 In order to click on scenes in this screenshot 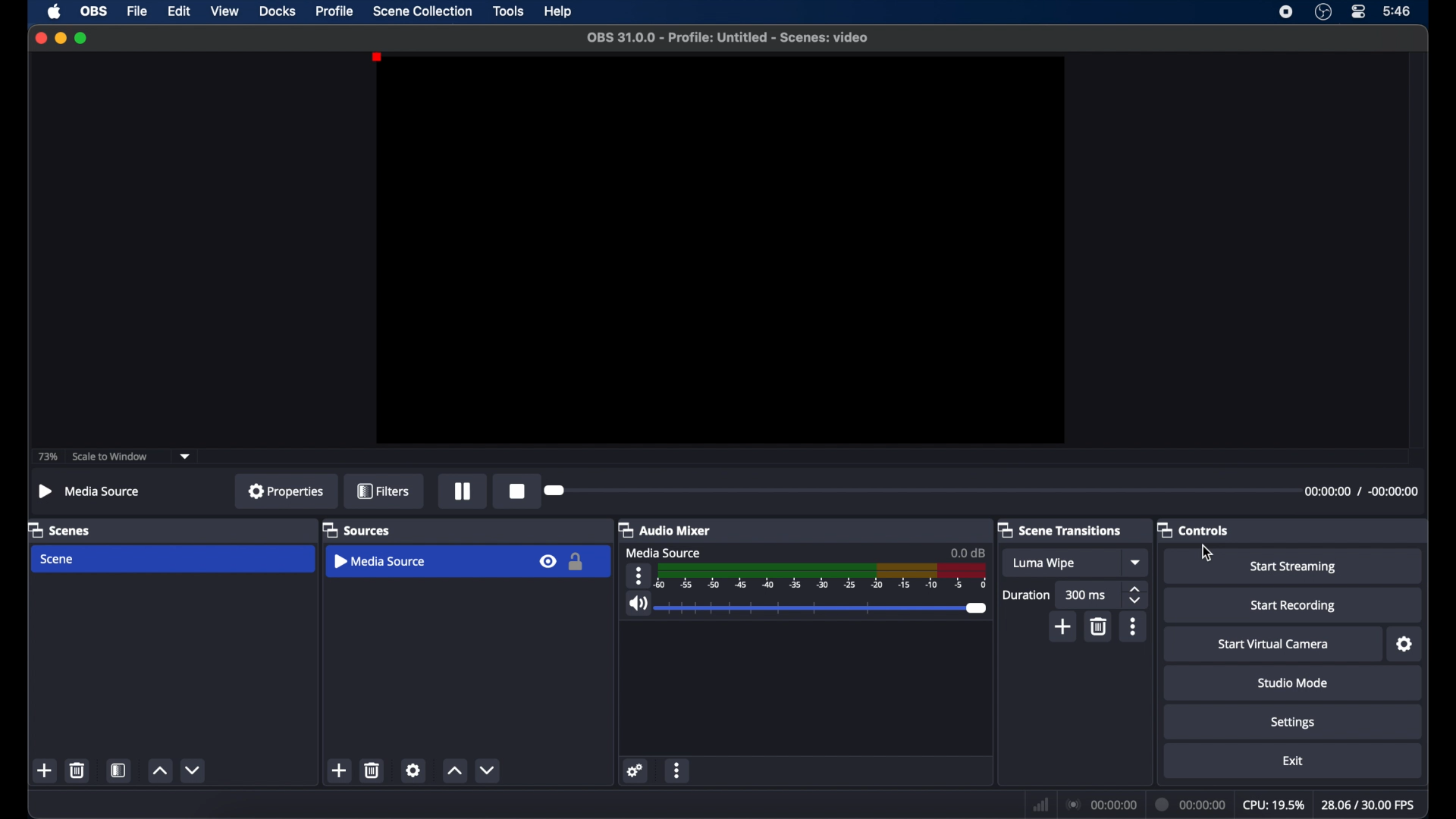, I will do `click(62, 531)`.